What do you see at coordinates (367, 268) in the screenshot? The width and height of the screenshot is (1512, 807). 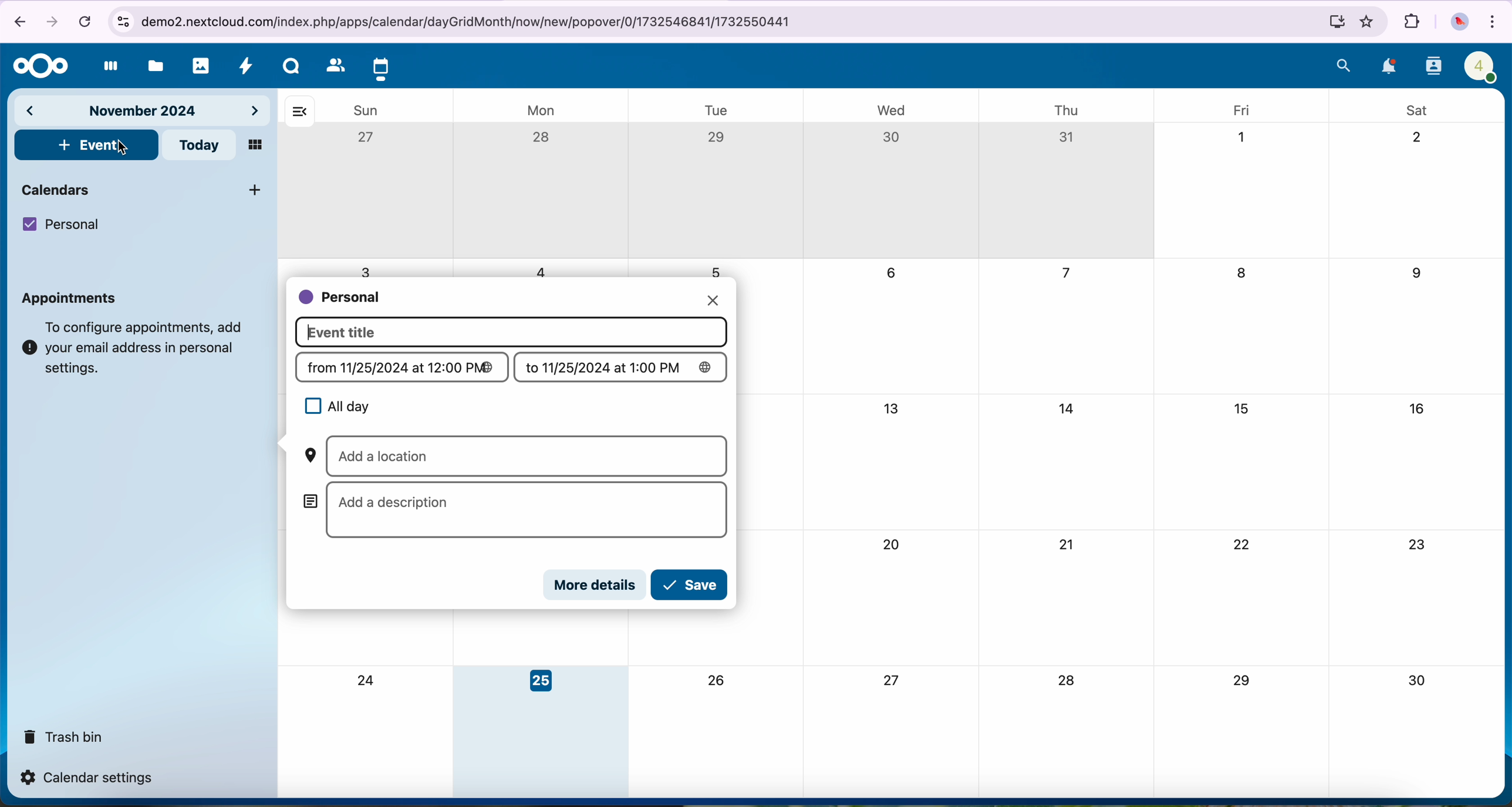 I see `3` at bounding box center [367, 268].